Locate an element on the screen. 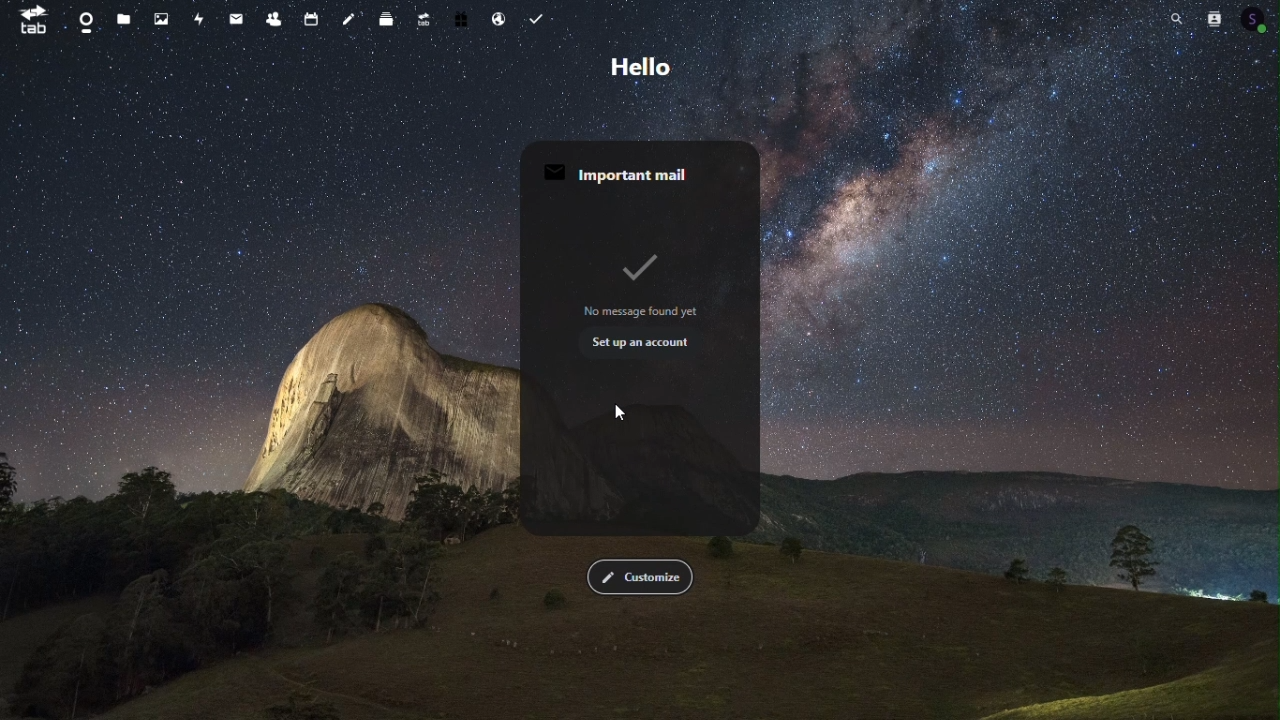 The width and height of the screenshot is (1280, 720). important mail is located at coordinates (643, 172).